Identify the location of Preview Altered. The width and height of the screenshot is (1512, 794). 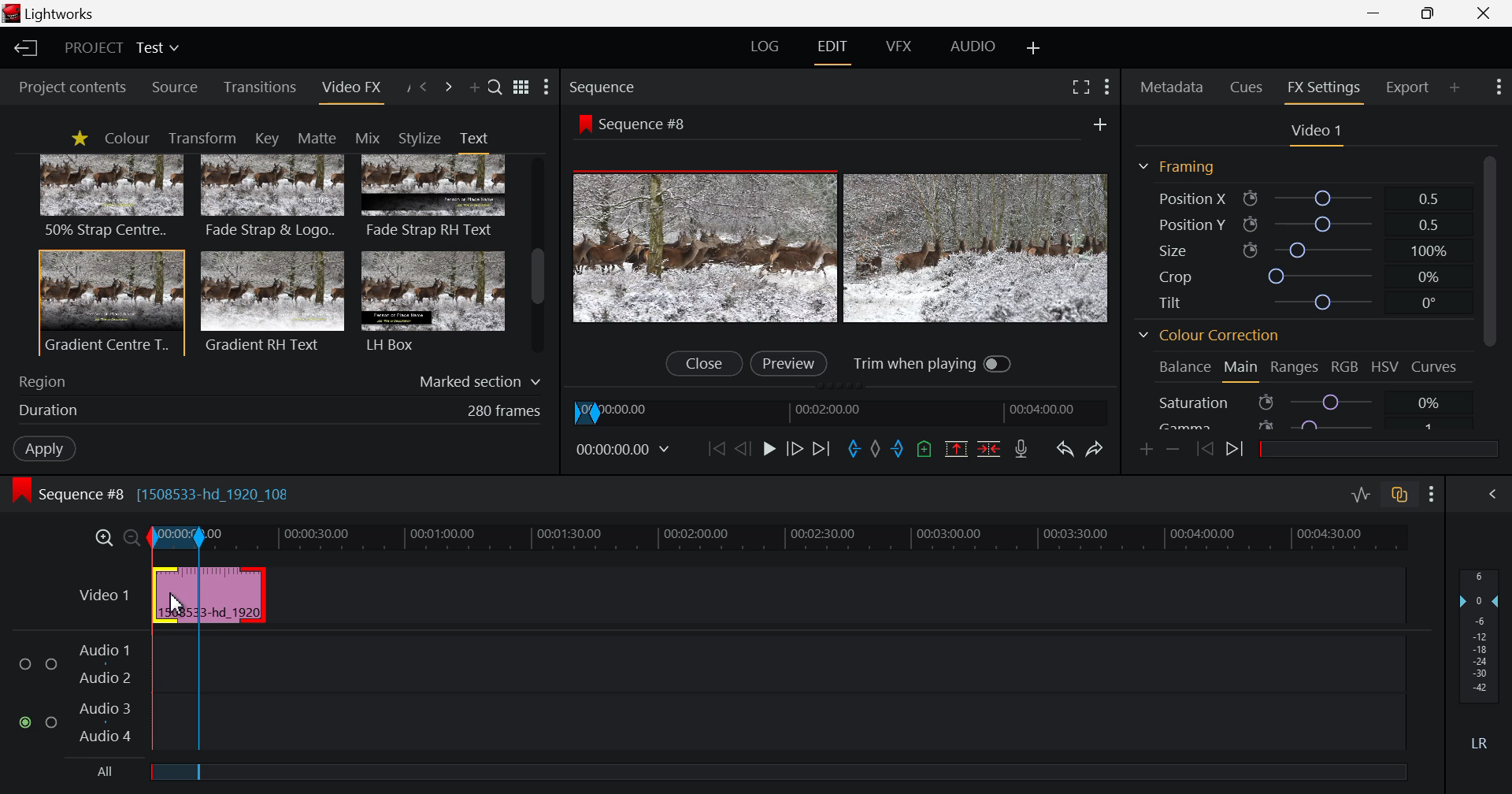
(843, 248).